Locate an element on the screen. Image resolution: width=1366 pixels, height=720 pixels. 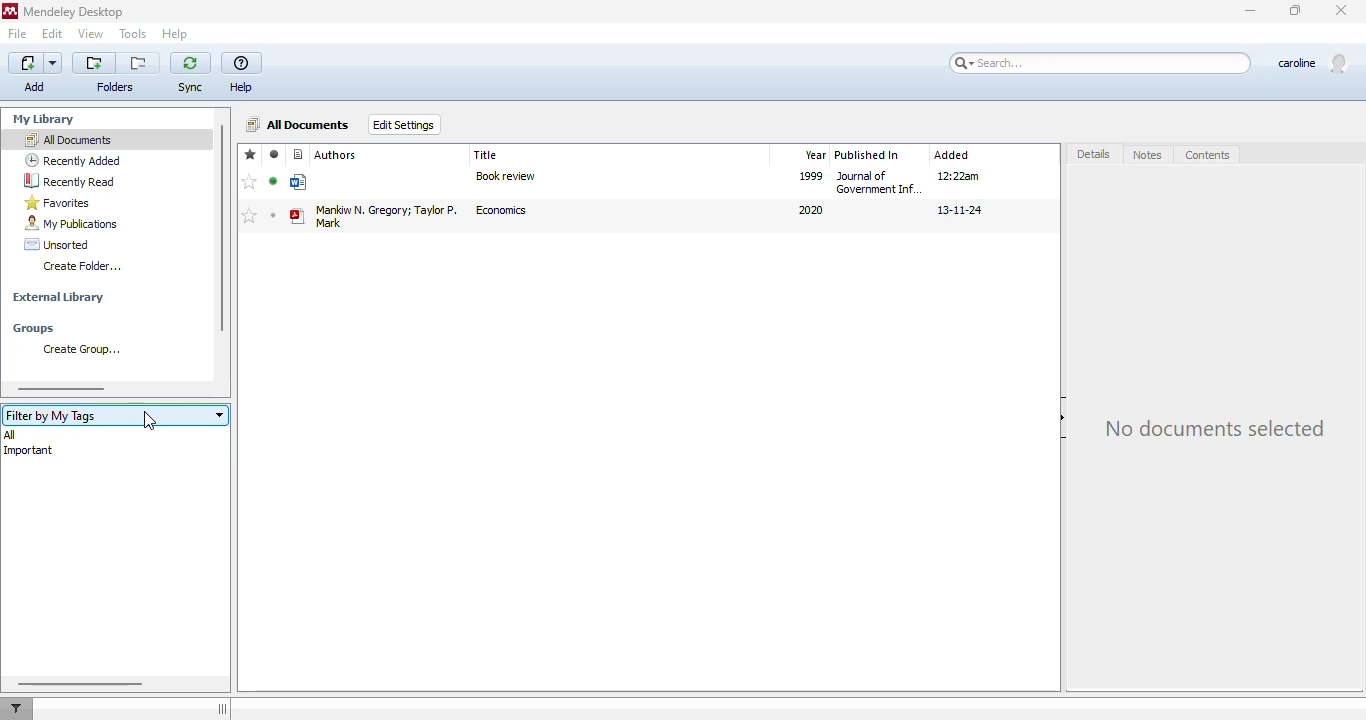
vertical scroll bar is located at coordinates (221, 228).